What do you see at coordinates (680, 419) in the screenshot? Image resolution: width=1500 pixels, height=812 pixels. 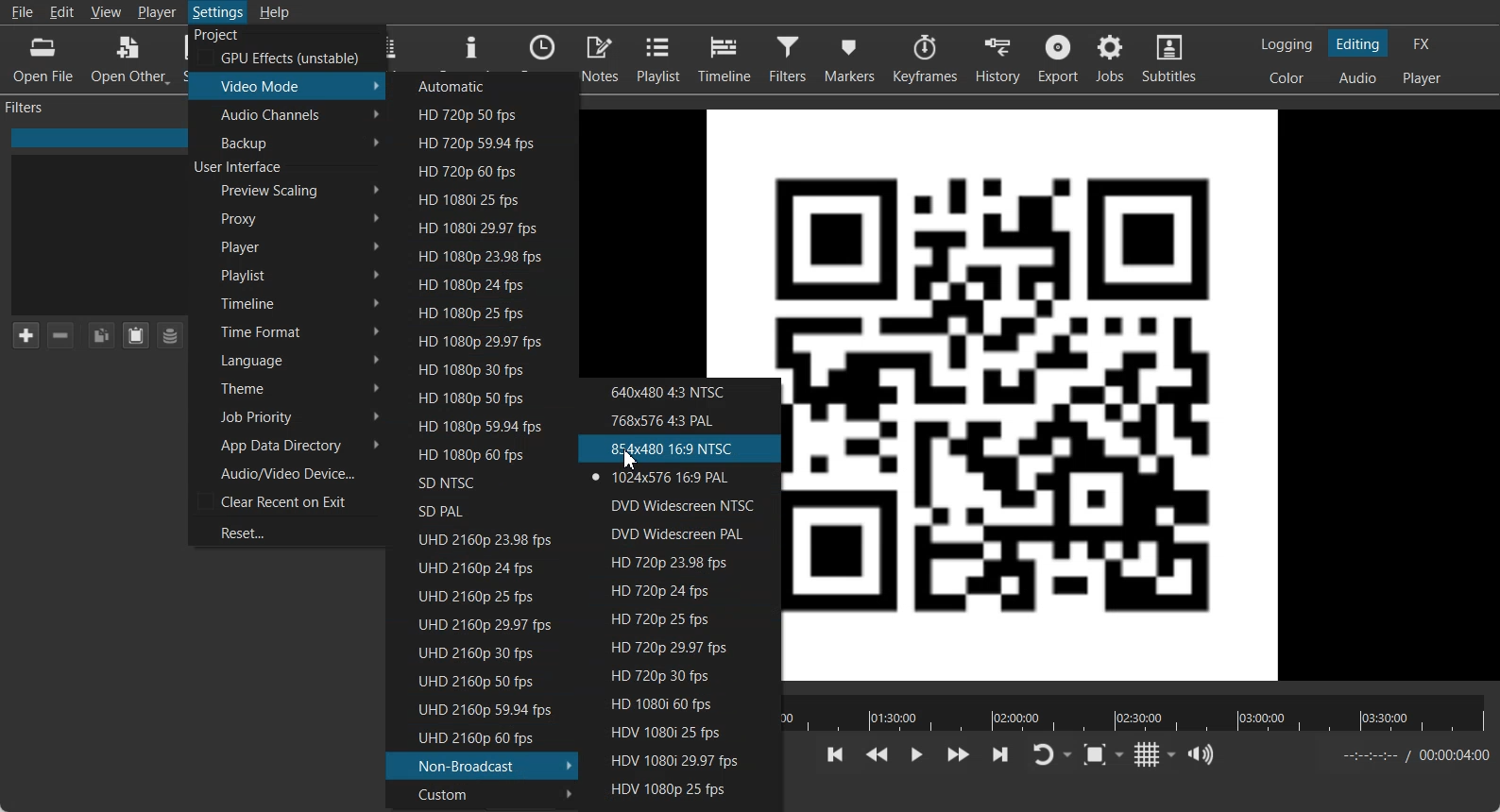 I see `768x576 4:3 PAL` at bounding box center [680, 419].